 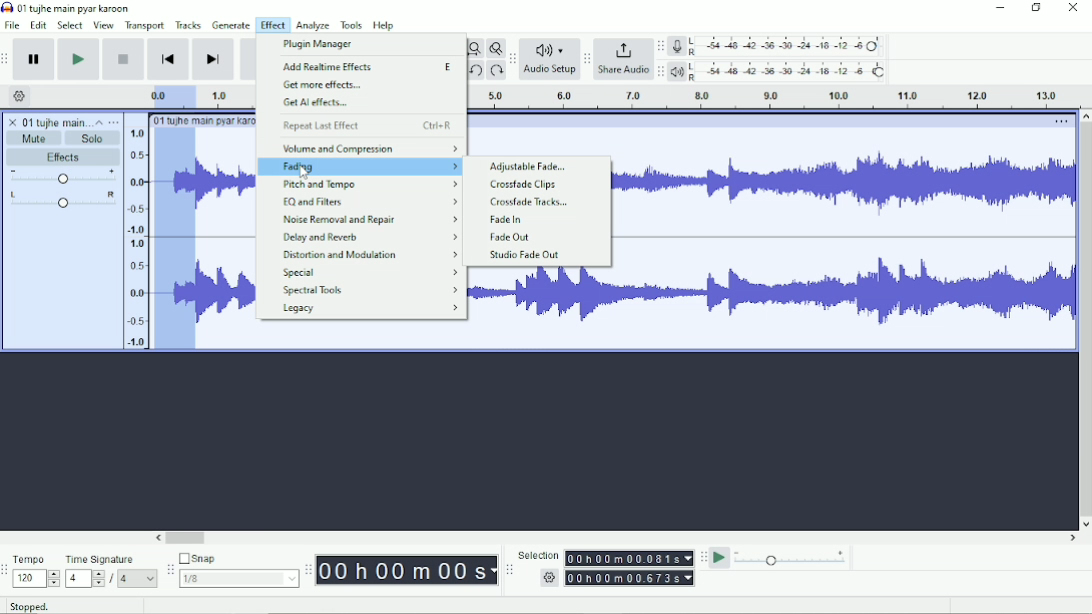 I want to click on Get AI effects, so click(x=316, y=103).